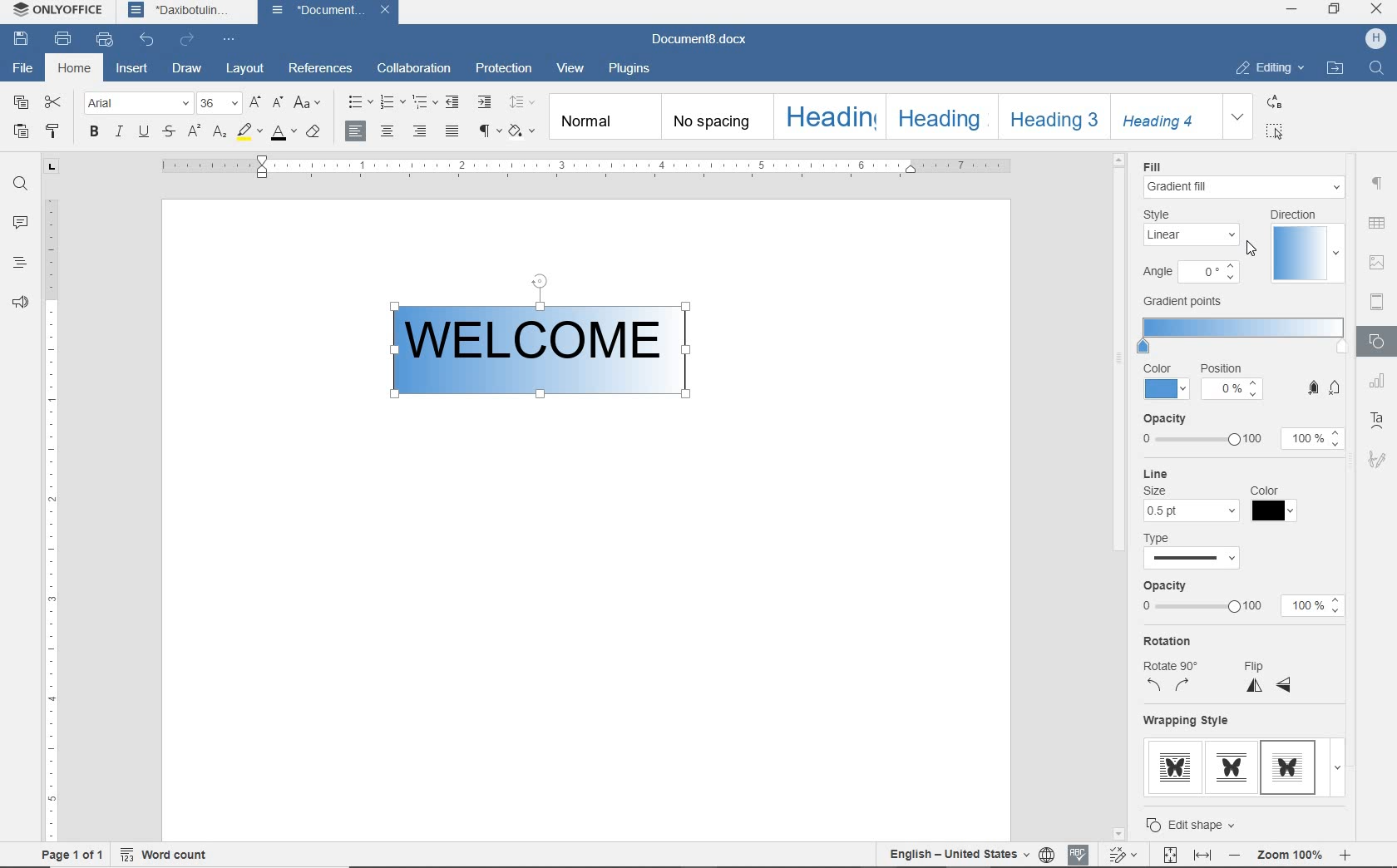 The width and height of the screenshot is (1397, 868). What do you see at coordinates (588, 166) in the screenshot?
I see `ruler` at bounding box center [588, 166].